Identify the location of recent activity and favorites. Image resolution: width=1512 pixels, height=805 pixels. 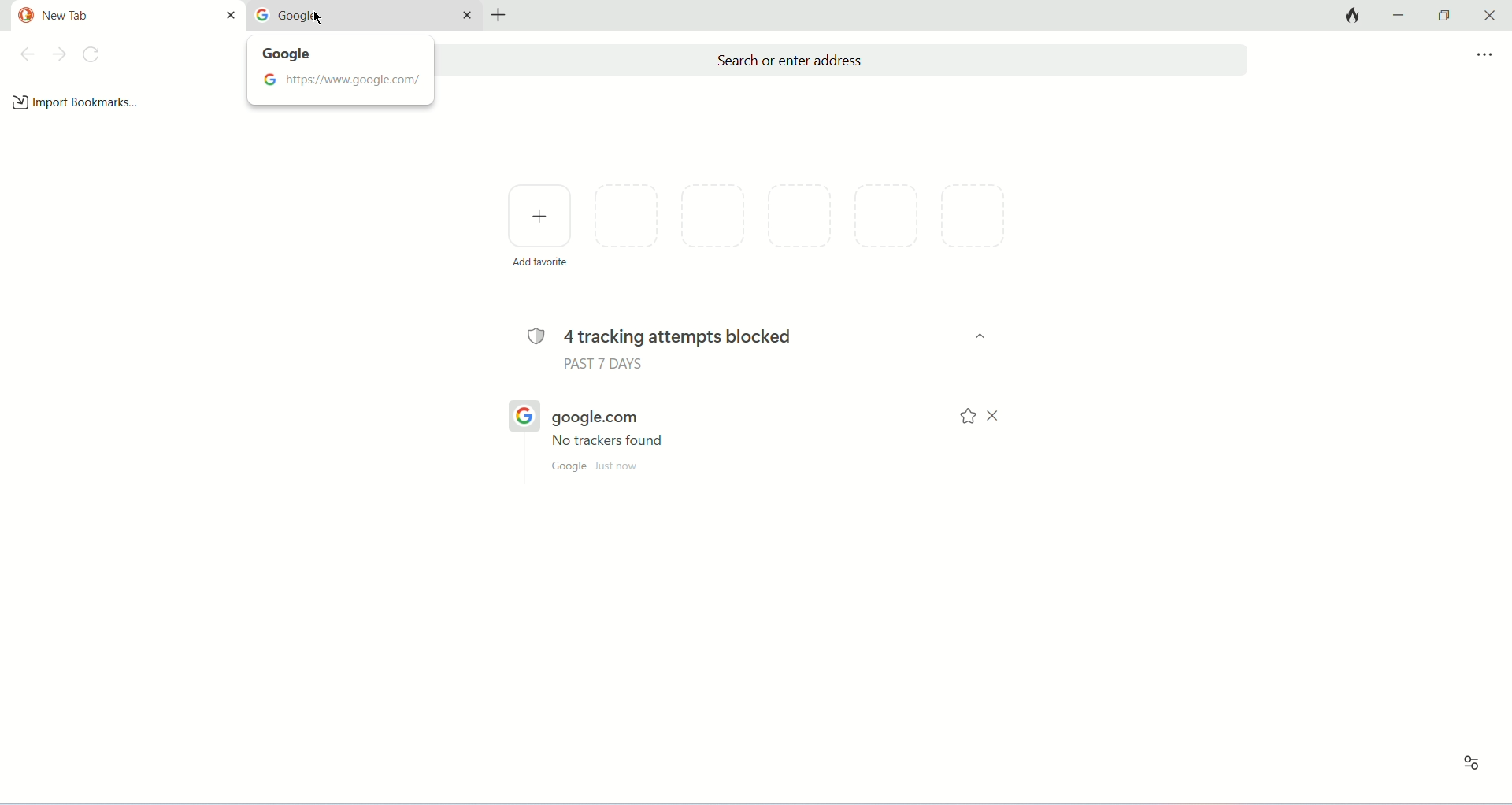
(1467, 764).